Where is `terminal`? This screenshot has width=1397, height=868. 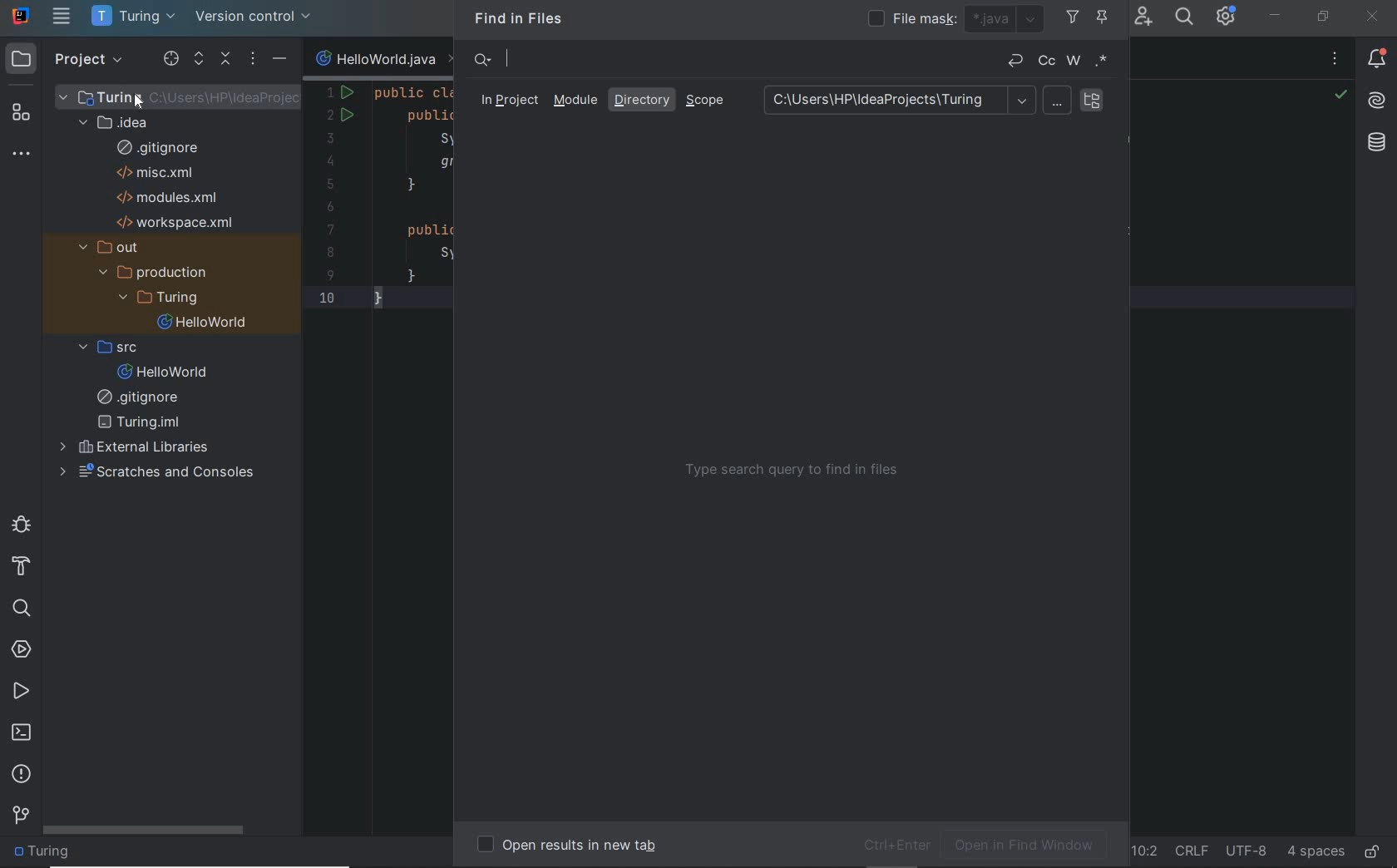 terminal is located at coordinates (22, 732).